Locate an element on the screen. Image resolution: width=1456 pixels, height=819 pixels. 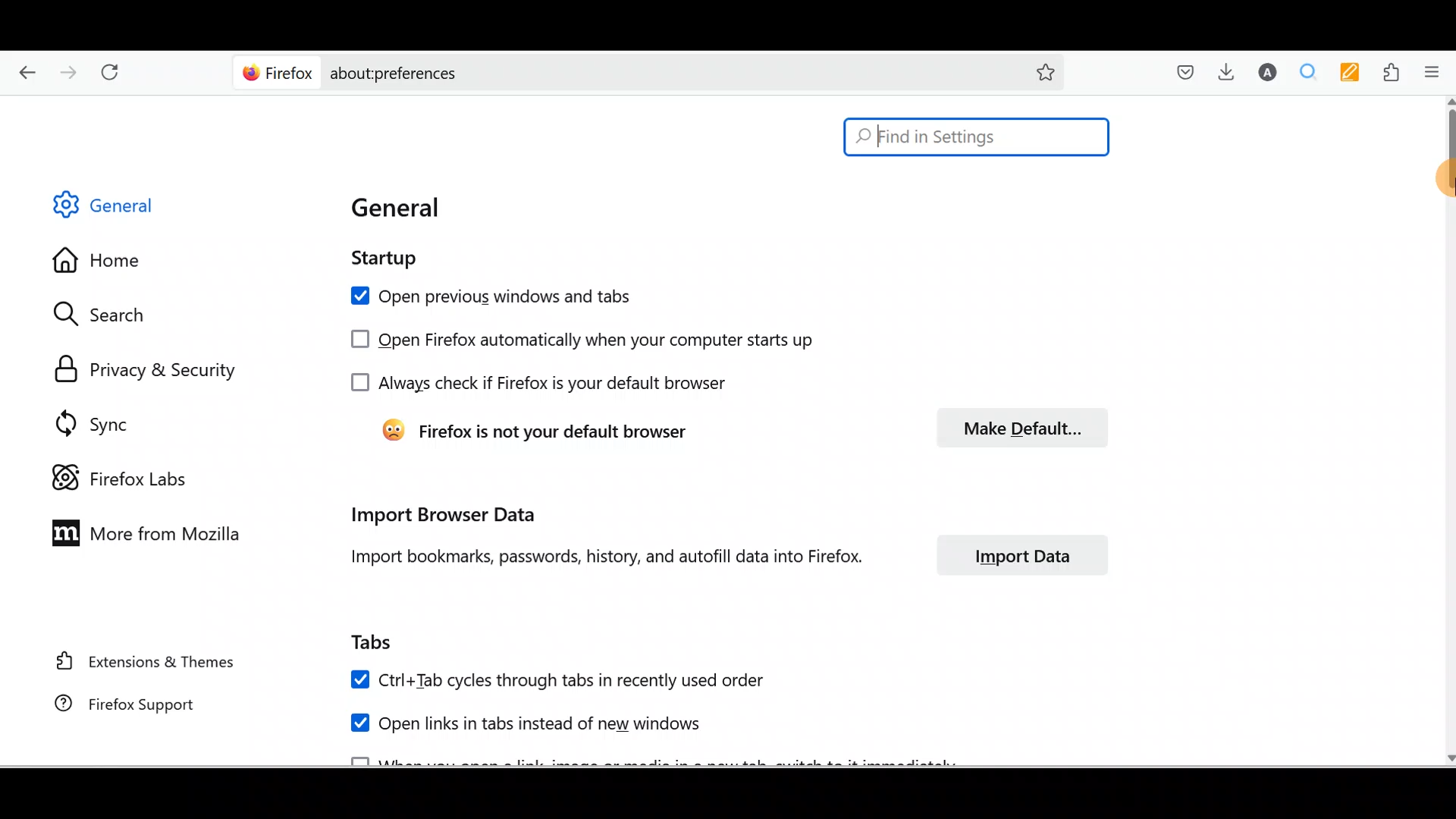
Startup is located at coordinates (378, 261).